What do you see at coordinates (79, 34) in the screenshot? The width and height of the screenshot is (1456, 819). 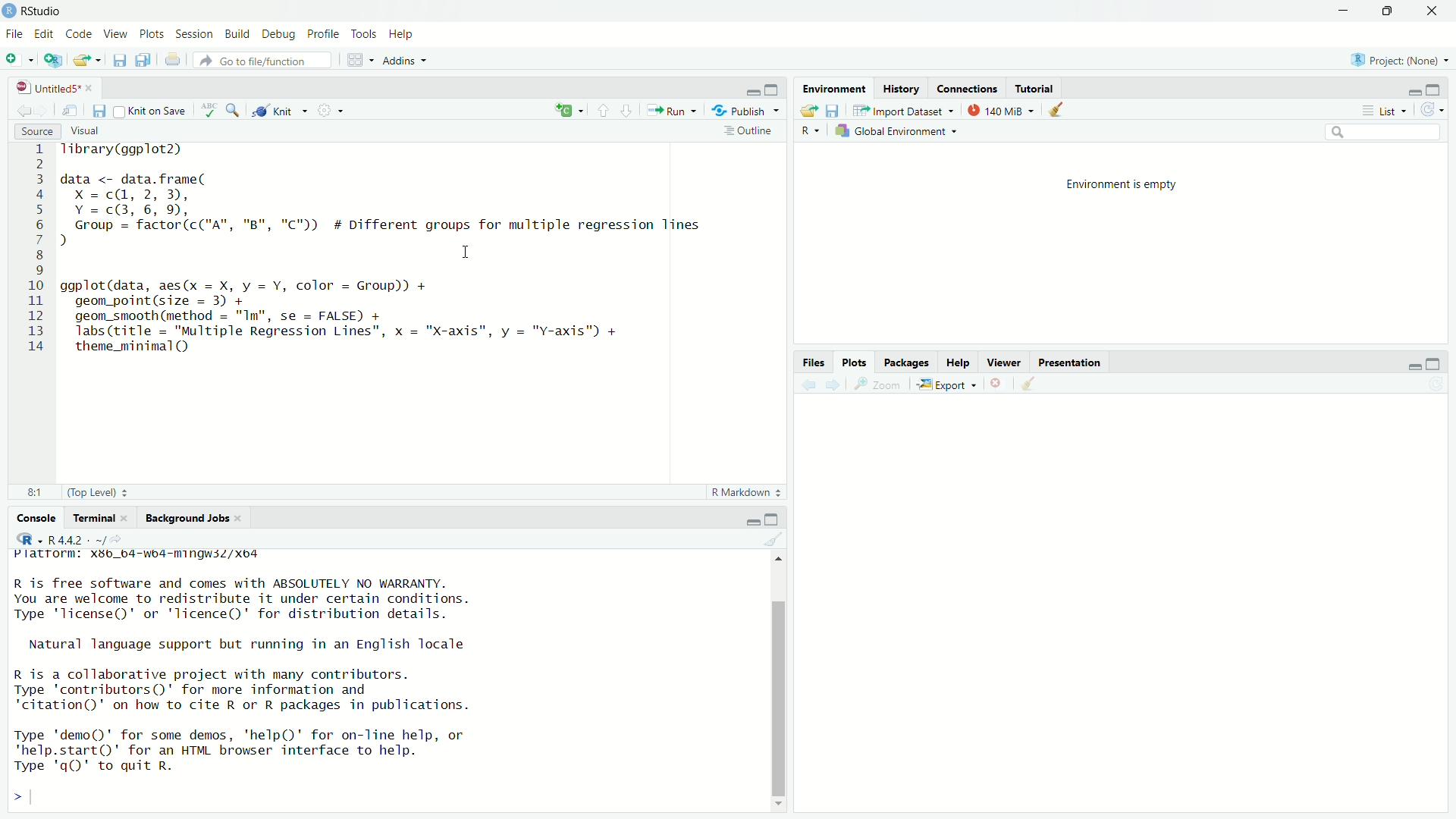 I see `Code` at bounding box center [79, 34].